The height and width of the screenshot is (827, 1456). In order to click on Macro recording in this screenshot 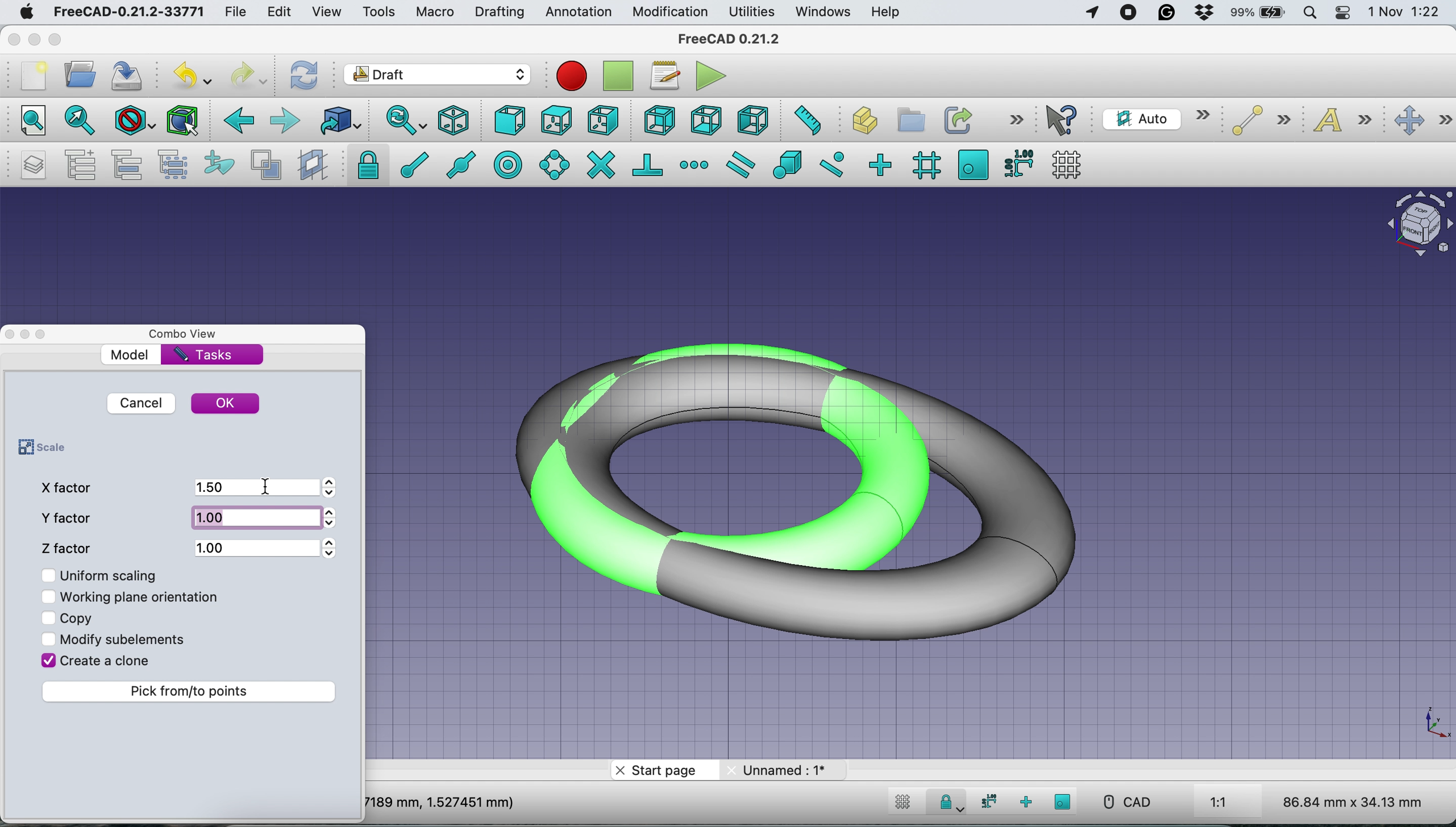, I will do `click(571, 76)`.